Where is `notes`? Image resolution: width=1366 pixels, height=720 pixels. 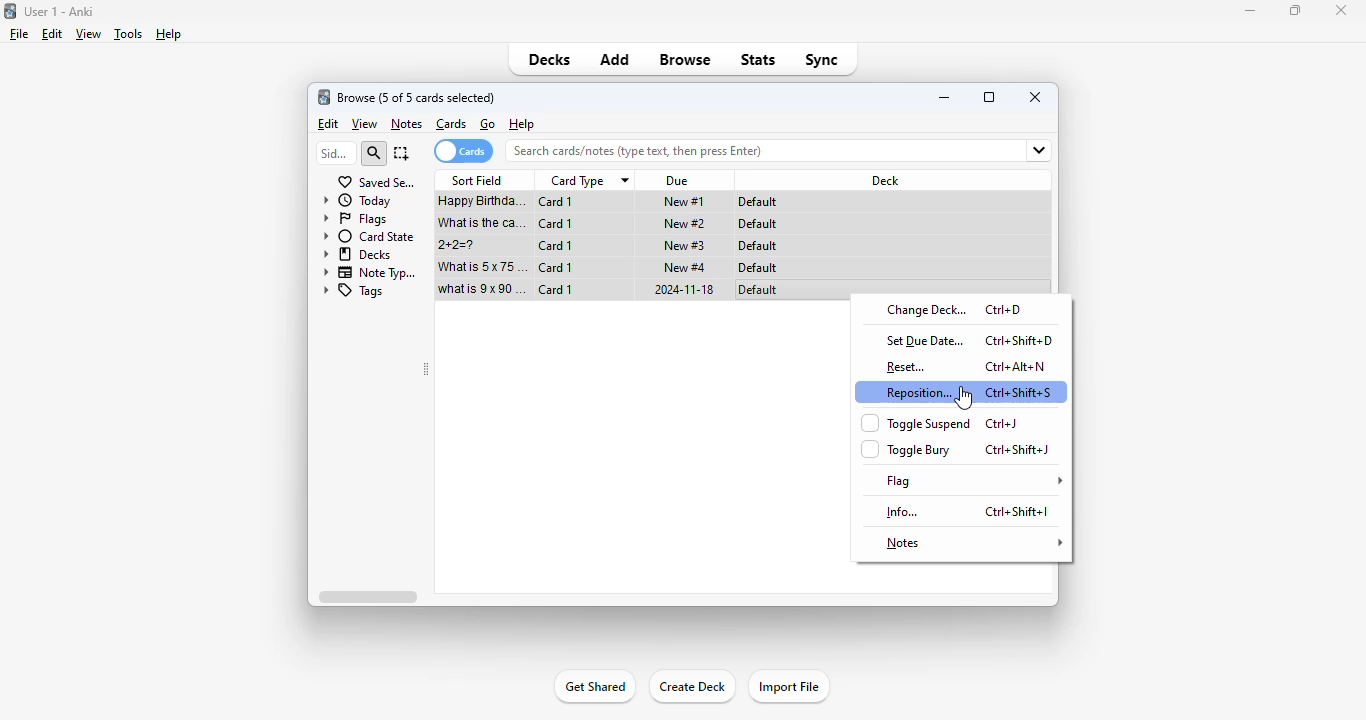
notes is located at coordinates (977, 542).